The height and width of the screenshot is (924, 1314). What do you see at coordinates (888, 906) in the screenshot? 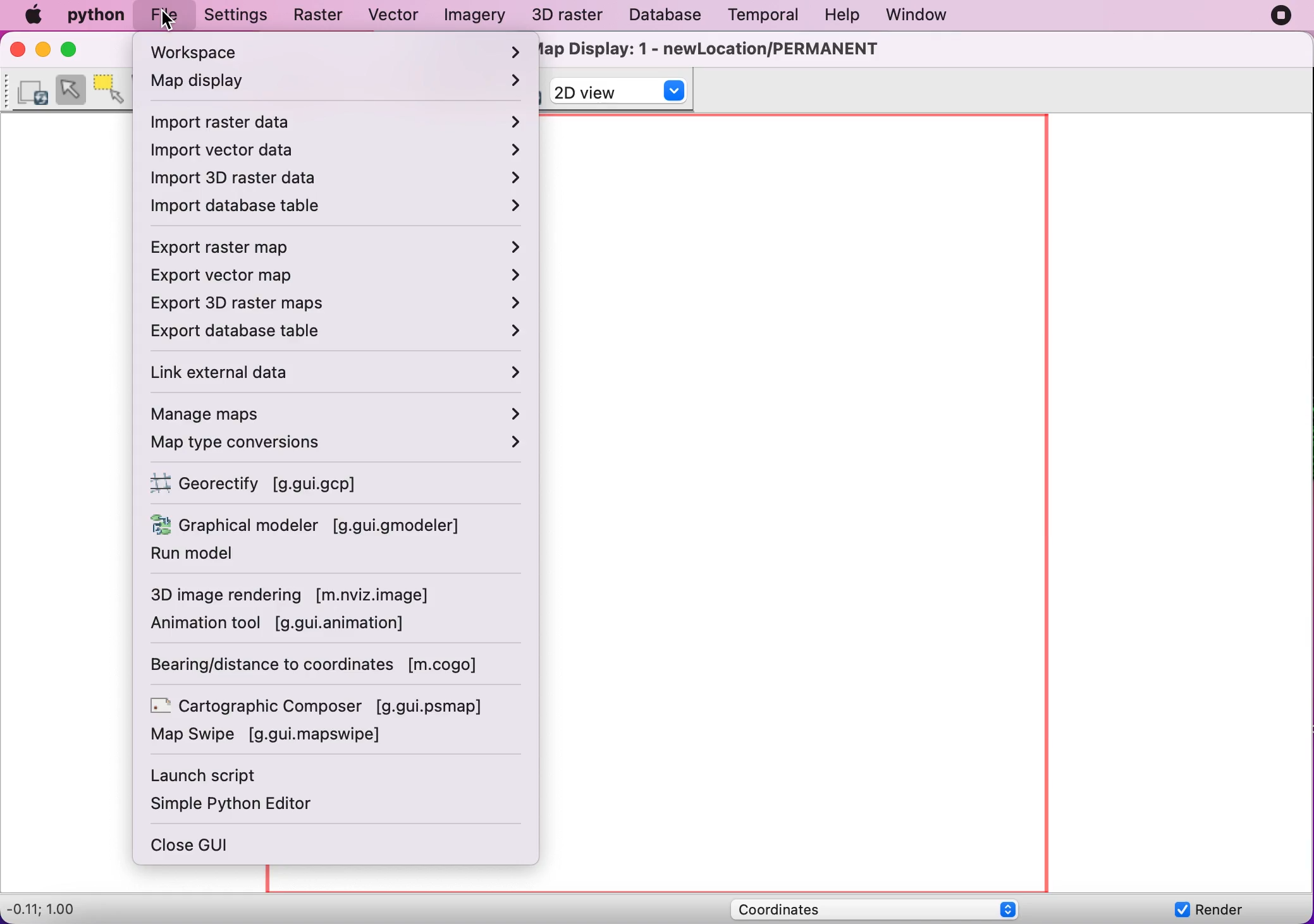
I see `coordinates` at bounding box center [888, 906].